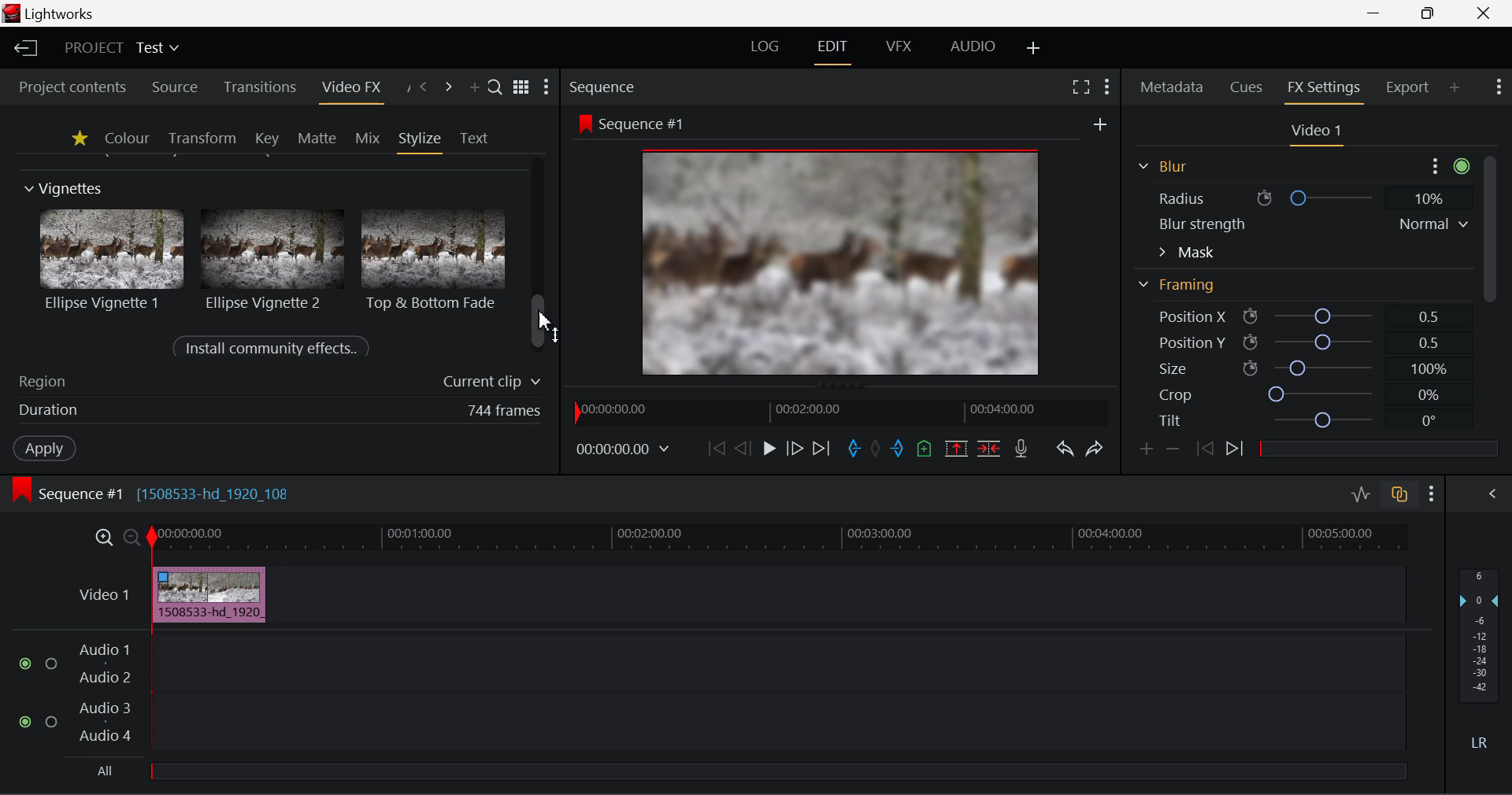 The image size is (1512, 795). What do you see at coordinates (1298, 395) in the screenshot?
I see `Crop` at bounding box center [1298, 395].